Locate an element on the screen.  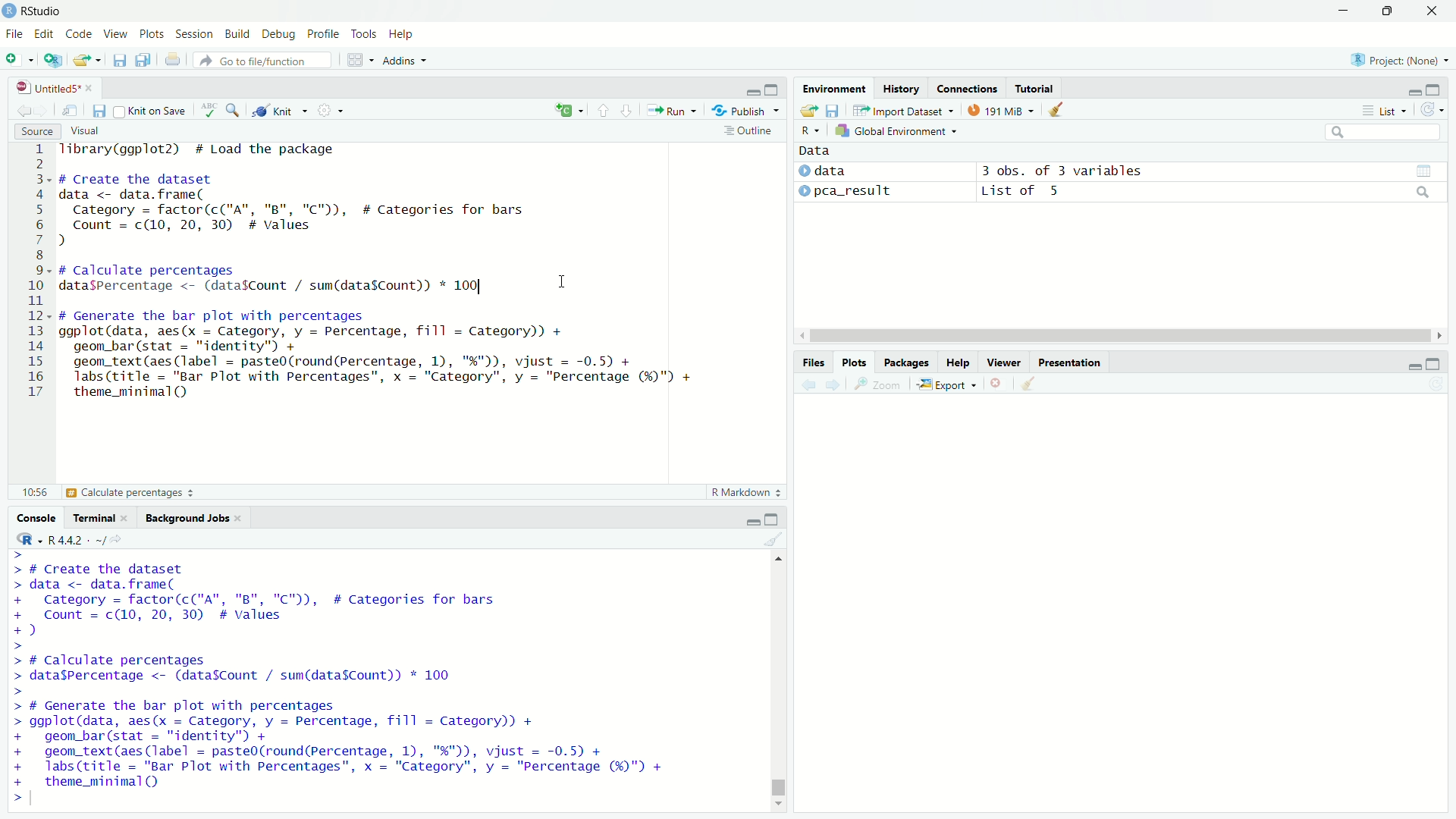
View is located at coordinates (117, 35).